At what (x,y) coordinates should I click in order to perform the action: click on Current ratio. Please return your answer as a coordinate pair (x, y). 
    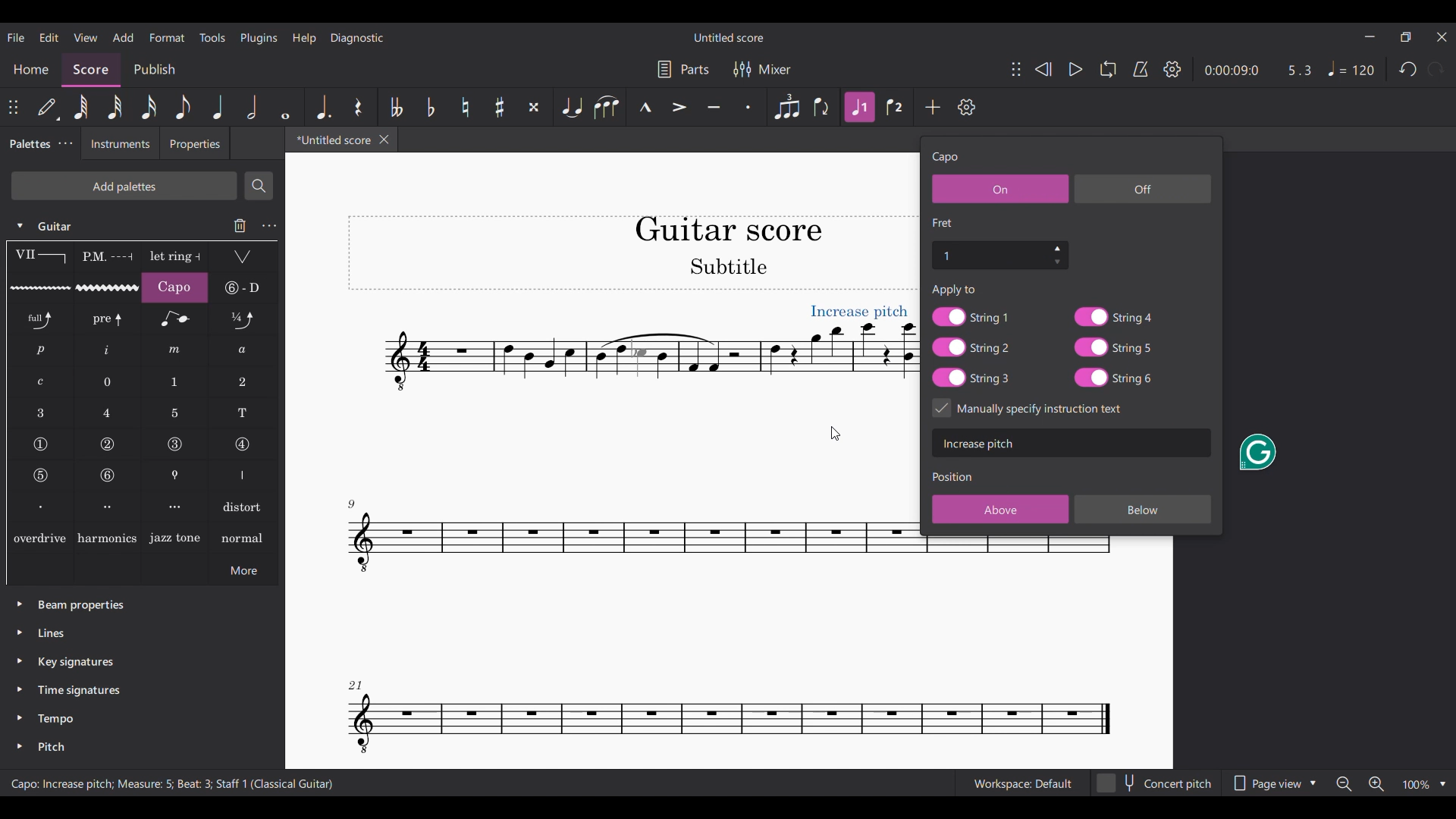
    Looking at the image, I should click on (1300, 71).